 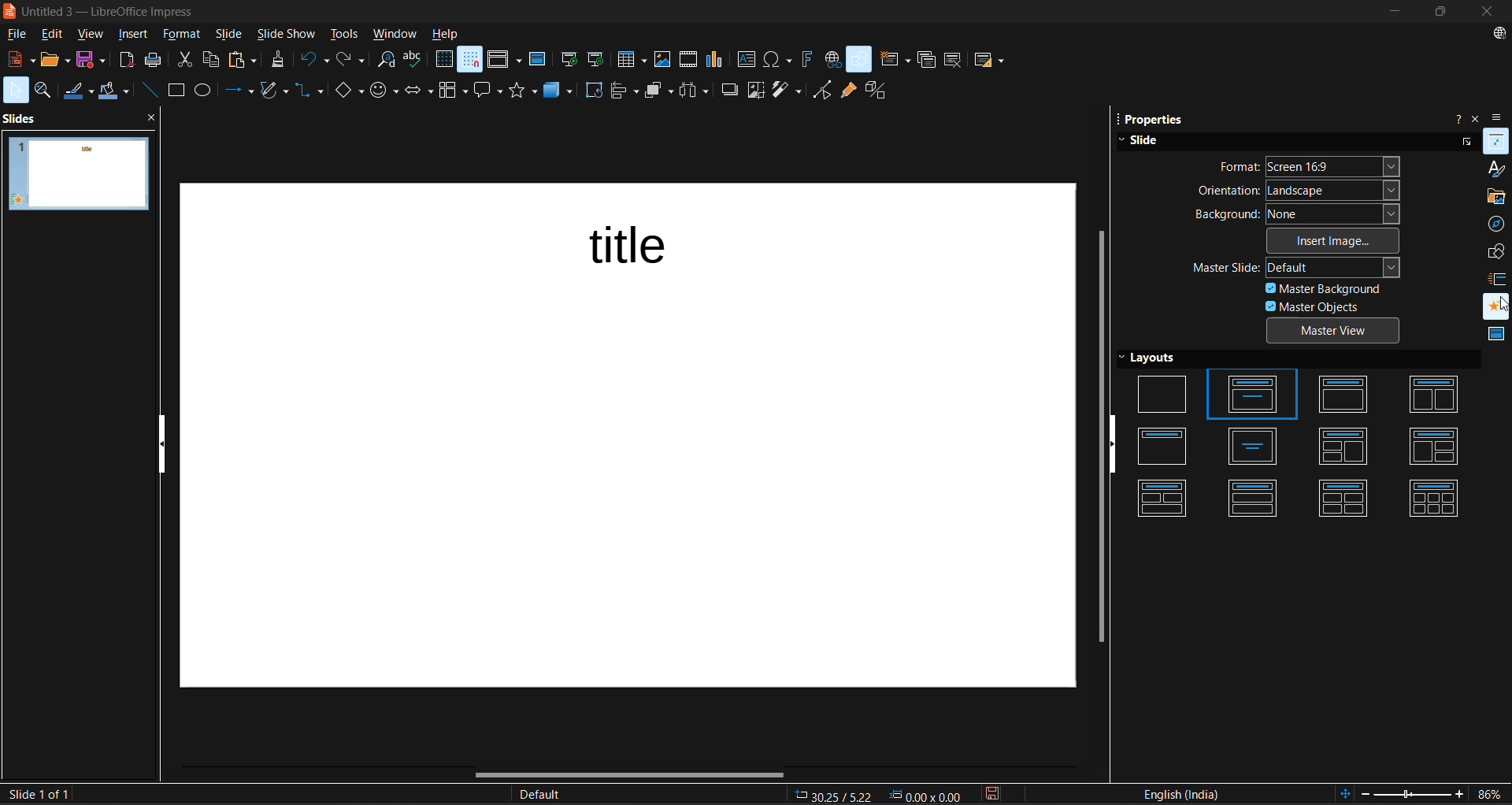 I want to click on insert fontwork text, so click(x=807, y=59).